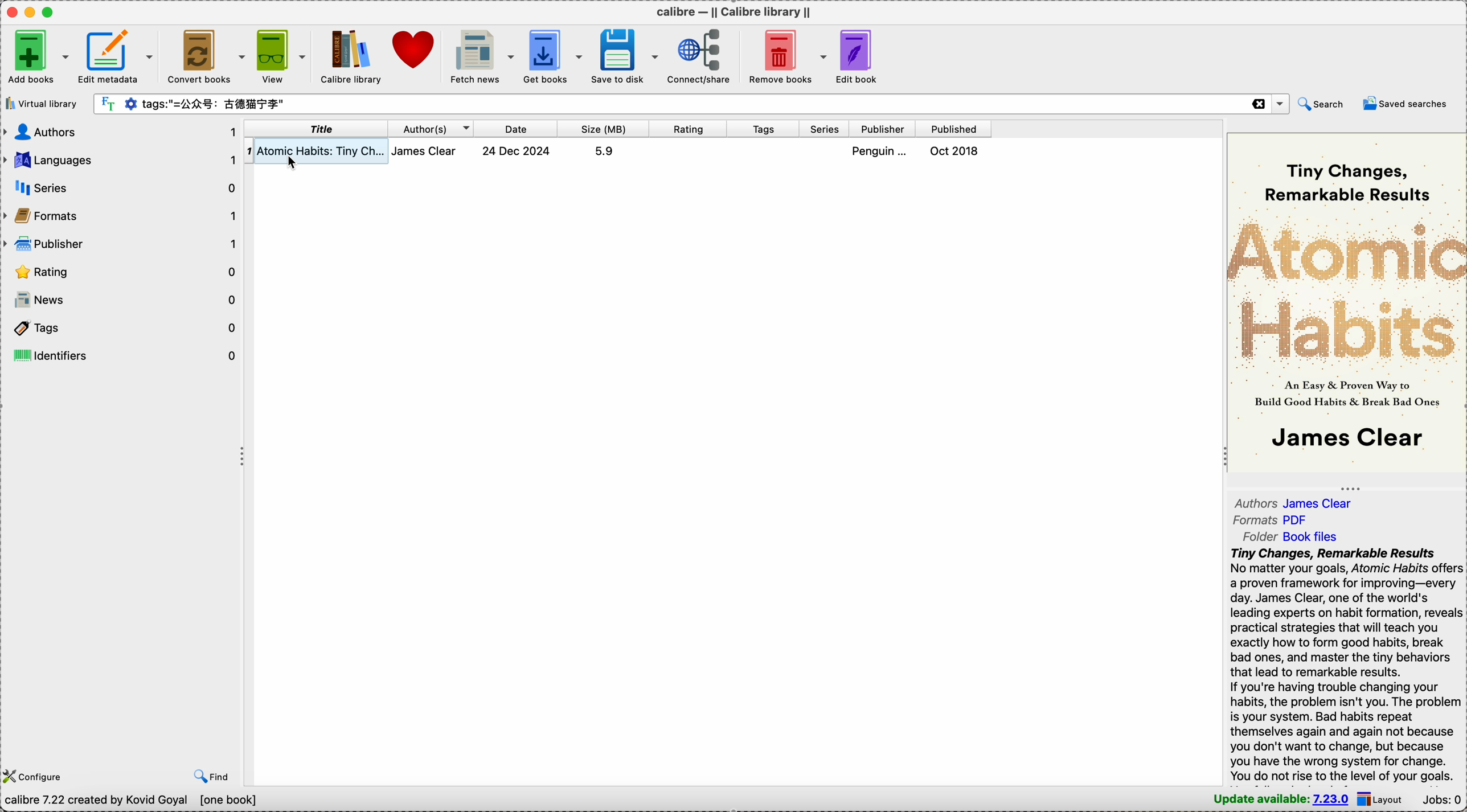 Image resolution: width=1467 pixels, height=812 pixels. Describe the element at coordinates (121, 215) in the screenshot. I see `formats` at that location.